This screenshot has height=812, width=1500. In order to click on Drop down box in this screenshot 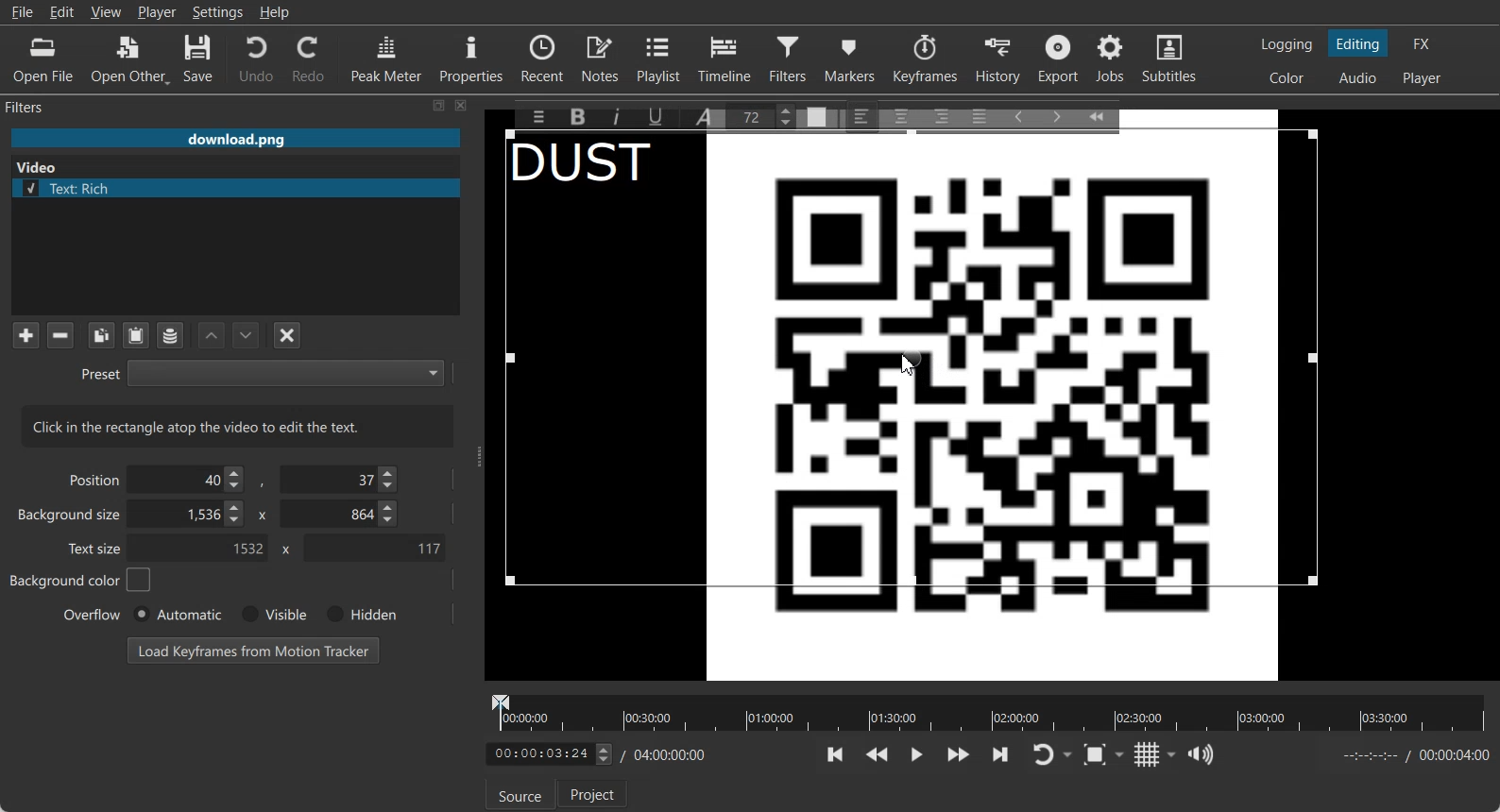, I will do `click(1172, 754)`.